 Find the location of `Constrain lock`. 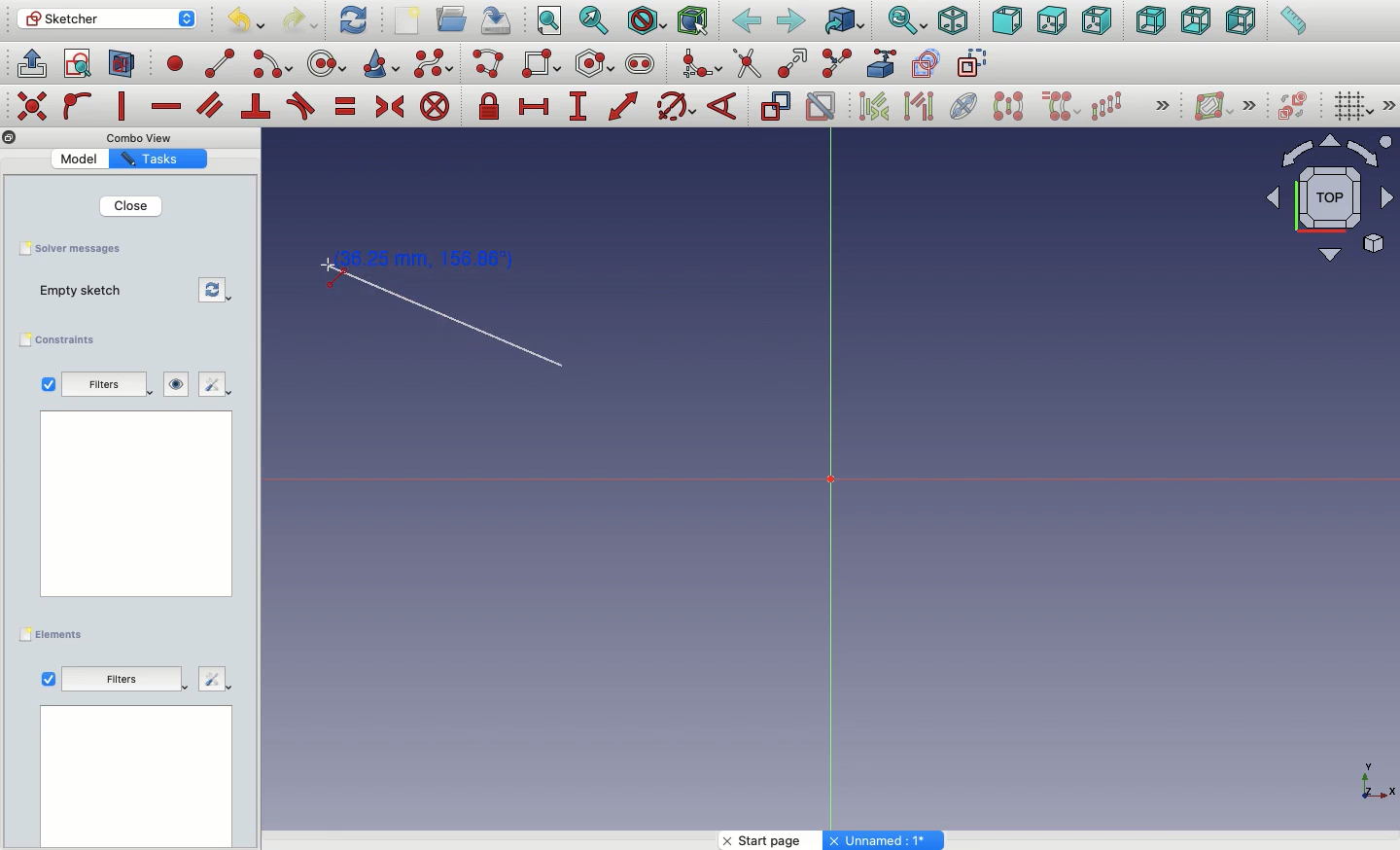

Constrain lock is located at coordinates (492, 106).